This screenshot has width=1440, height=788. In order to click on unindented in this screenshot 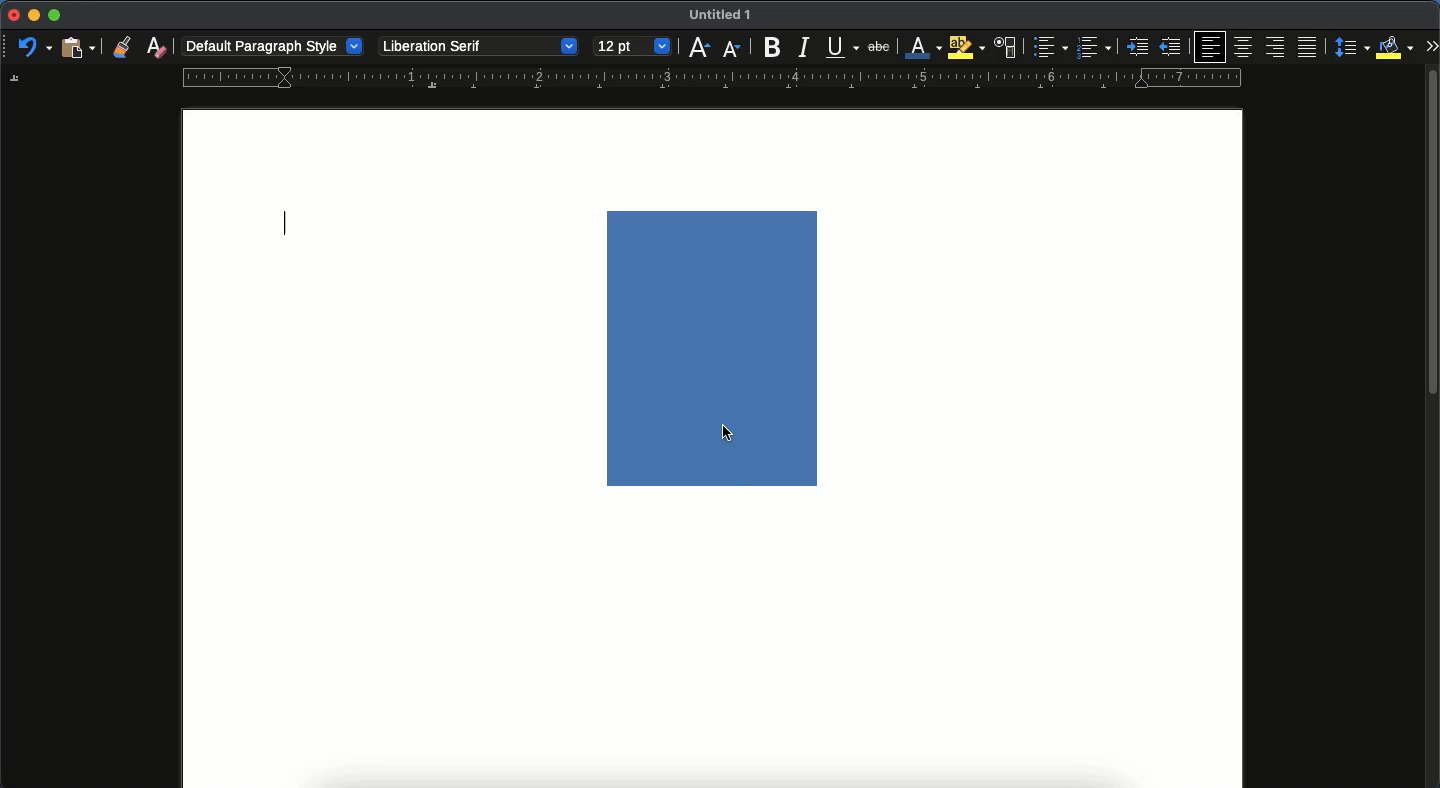, I will do `click(1170, 47)`.